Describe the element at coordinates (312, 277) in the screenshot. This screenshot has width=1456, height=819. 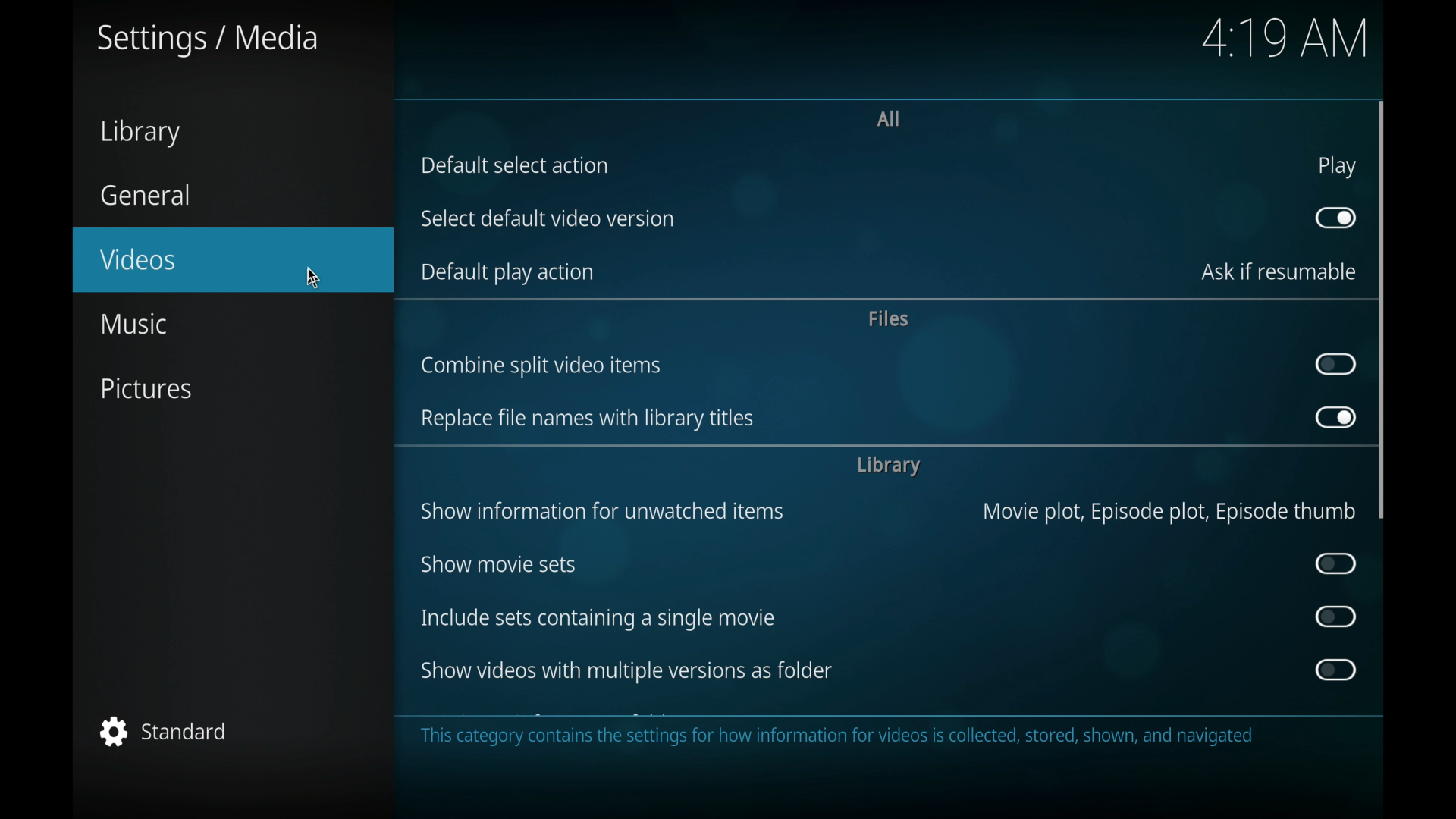
I see `cursor` at that location.